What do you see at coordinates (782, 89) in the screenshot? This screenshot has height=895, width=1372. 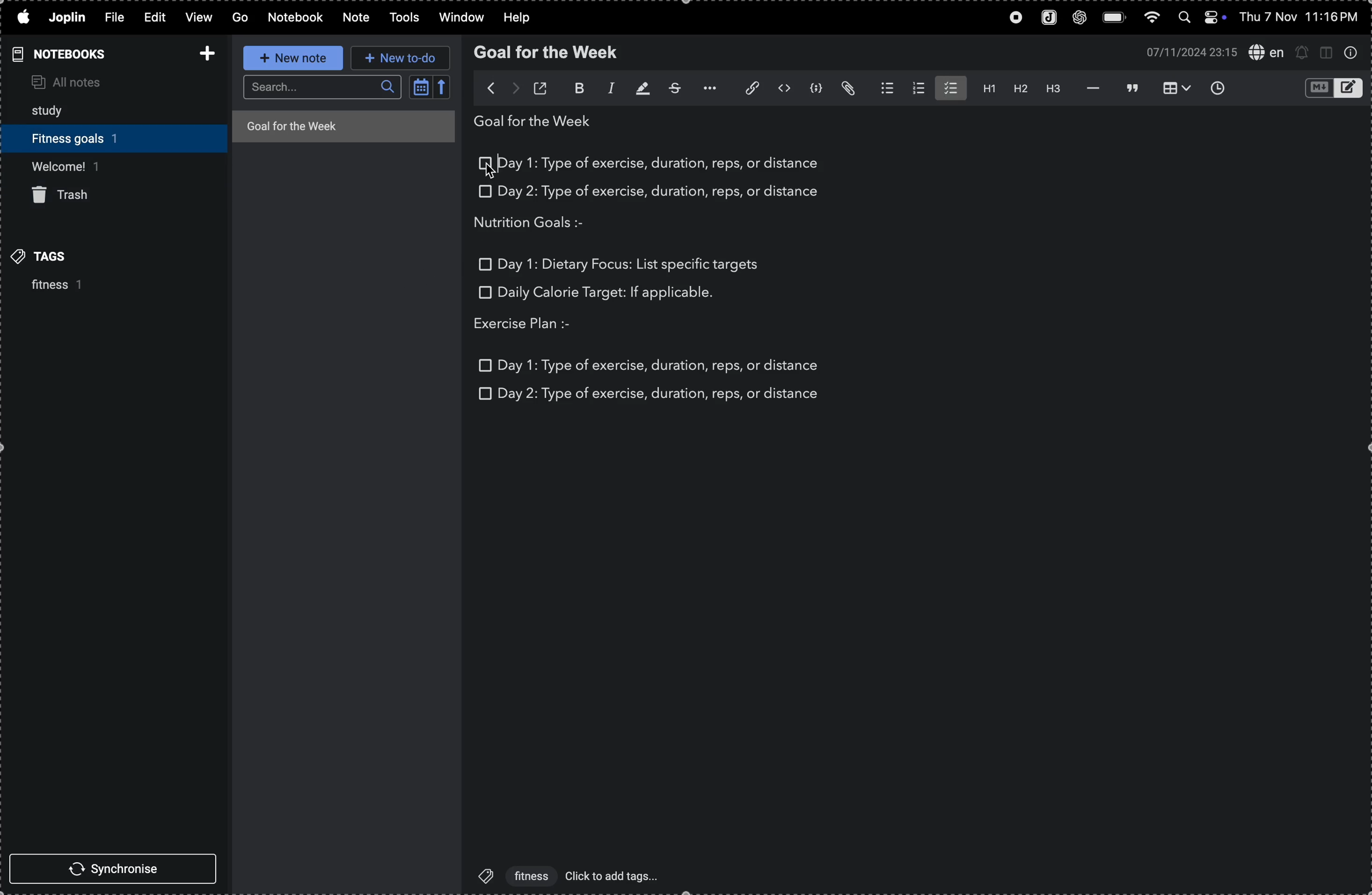 I see `inline` at bounding box center [782, 89].